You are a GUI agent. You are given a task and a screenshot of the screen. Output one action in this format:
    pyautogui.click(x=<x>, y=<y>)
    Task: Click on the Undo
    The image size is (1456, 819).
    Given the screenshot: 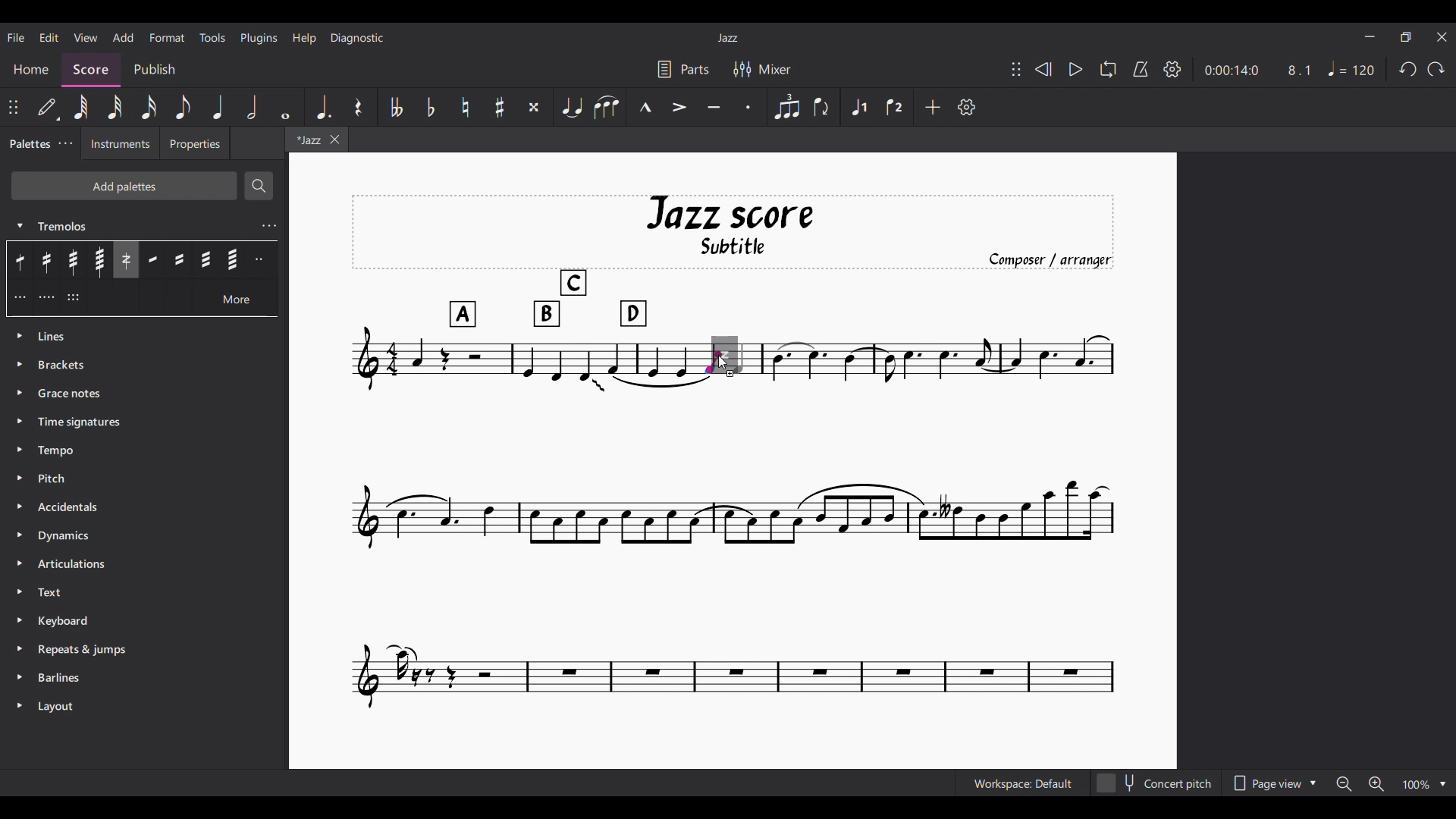 What is the action you would take?
    pyautogui.click(x=1408, y=69)
    